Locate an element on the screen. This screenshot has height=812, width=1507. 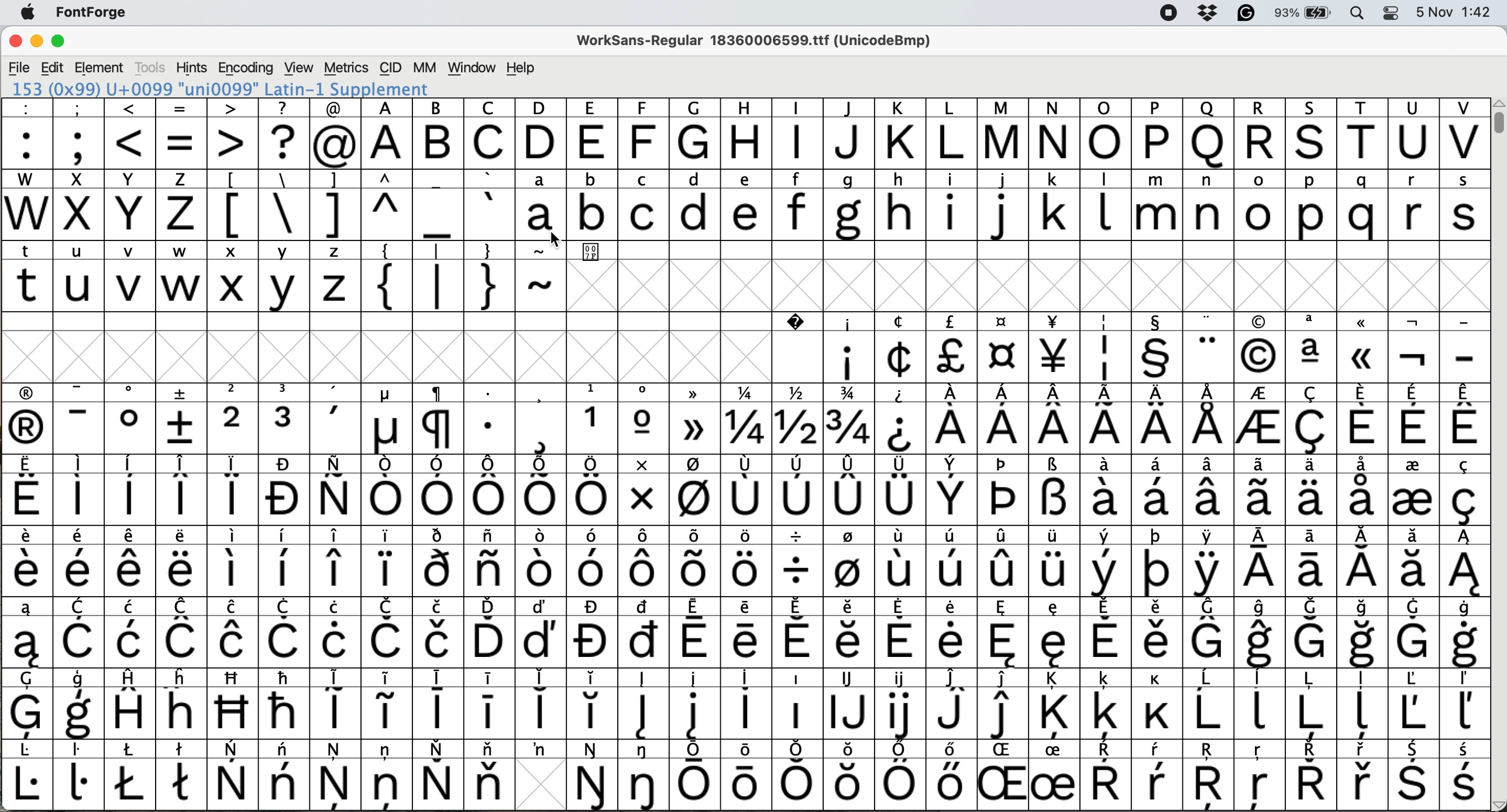
symbol is located at coordinates (441, 490).